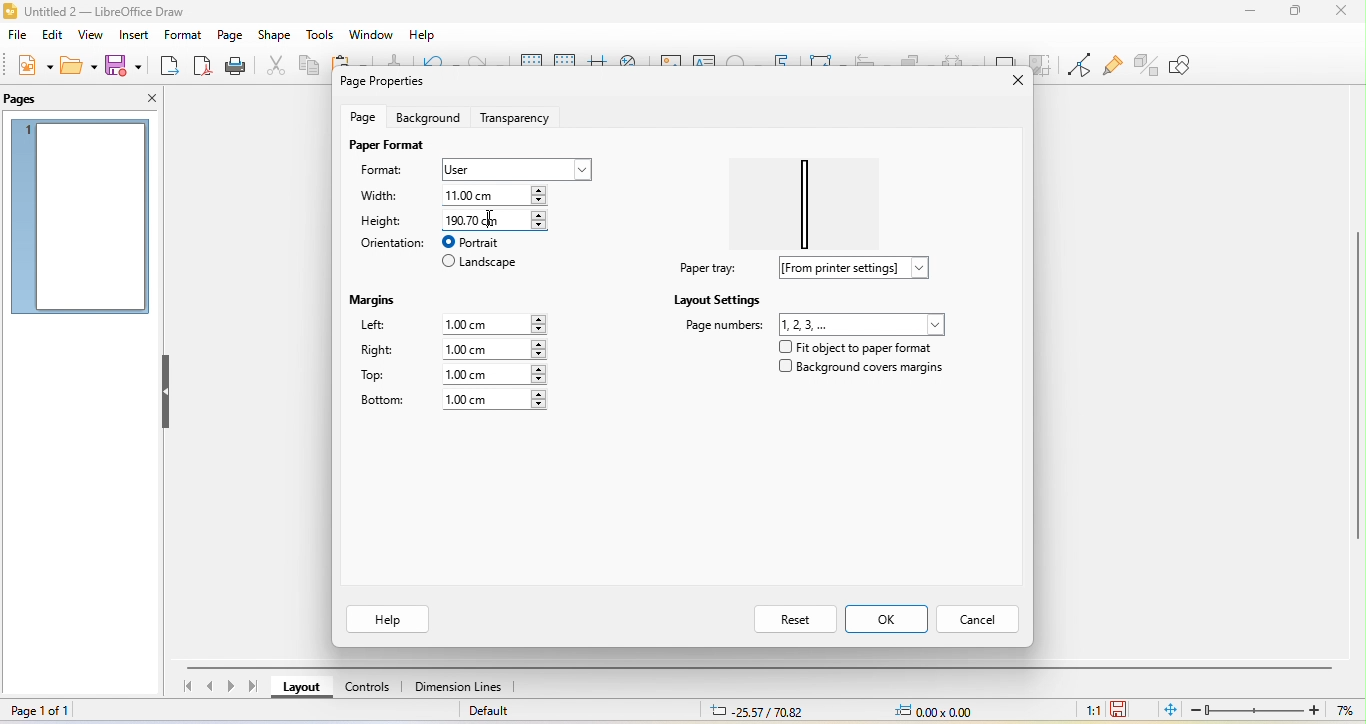  I want to click on toggle point edit mode, so click(1078, 65).